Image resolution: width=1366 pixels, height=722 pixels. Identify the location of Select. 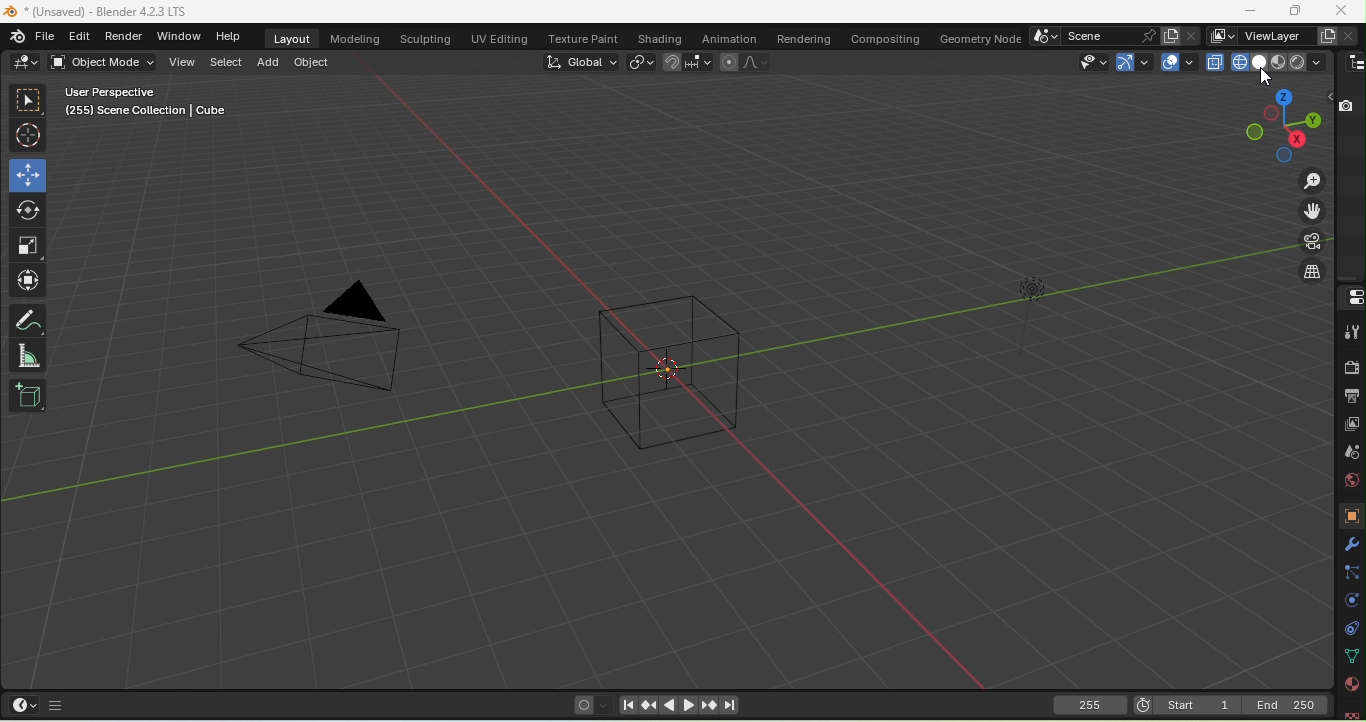
(225, 65).